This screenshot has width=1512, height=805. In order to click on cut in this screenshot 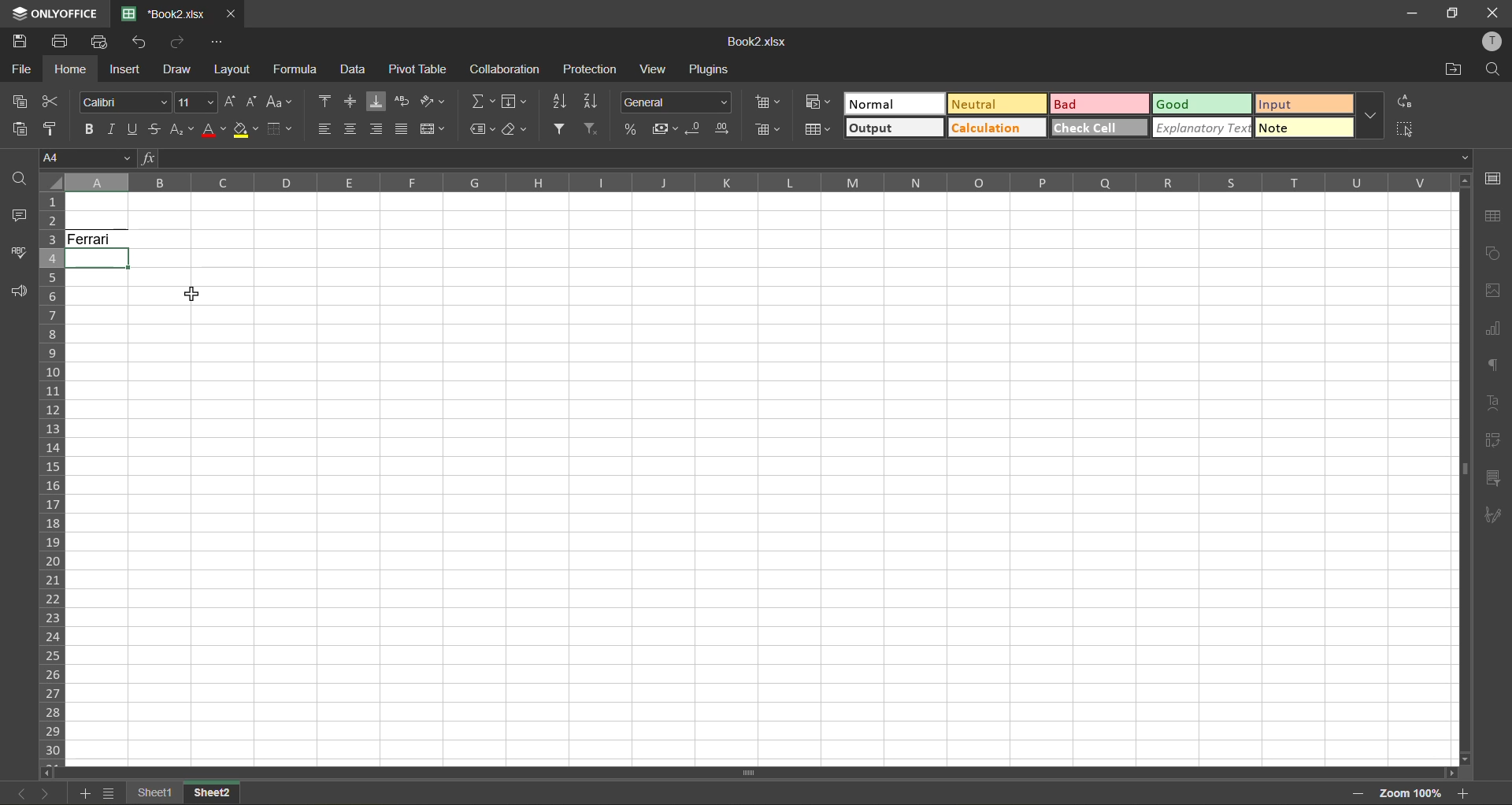, I will do `click(53, 101)`.